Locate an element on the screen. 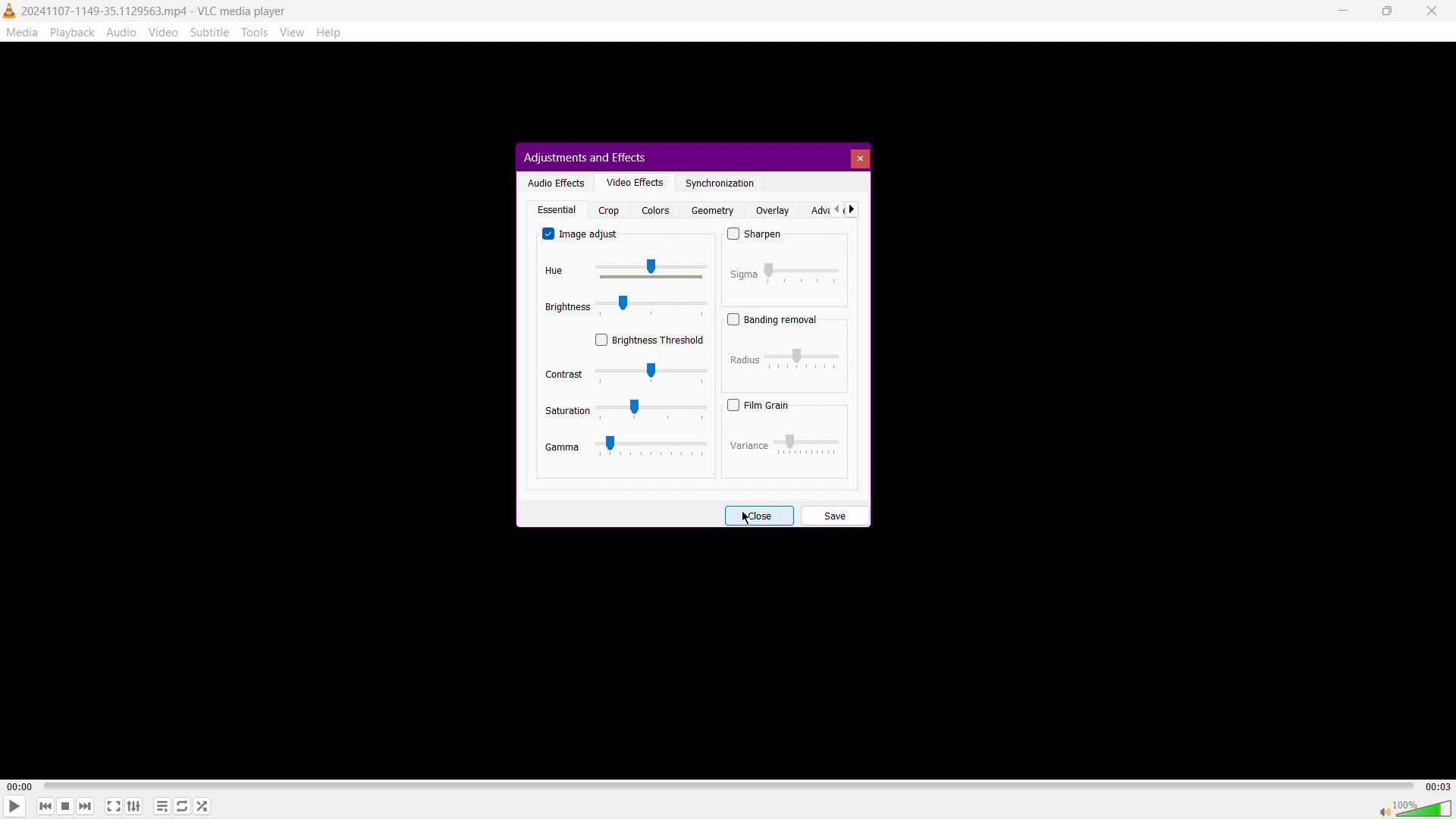  View is located at coordinates (297, 32).